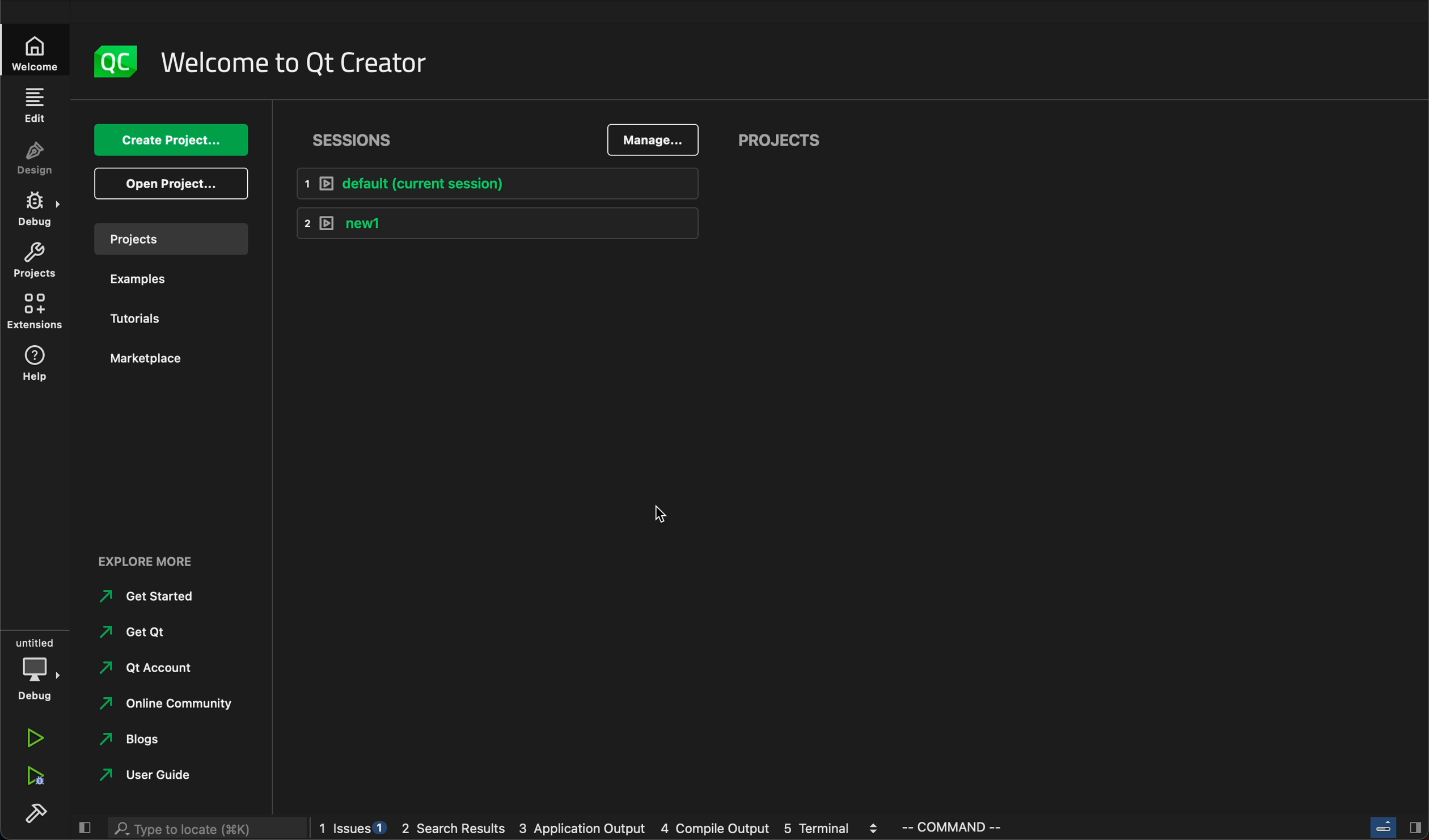 Image resolution: width=1429 pixels, height=840 pixels. I want to click on new1, so click(497, 223).